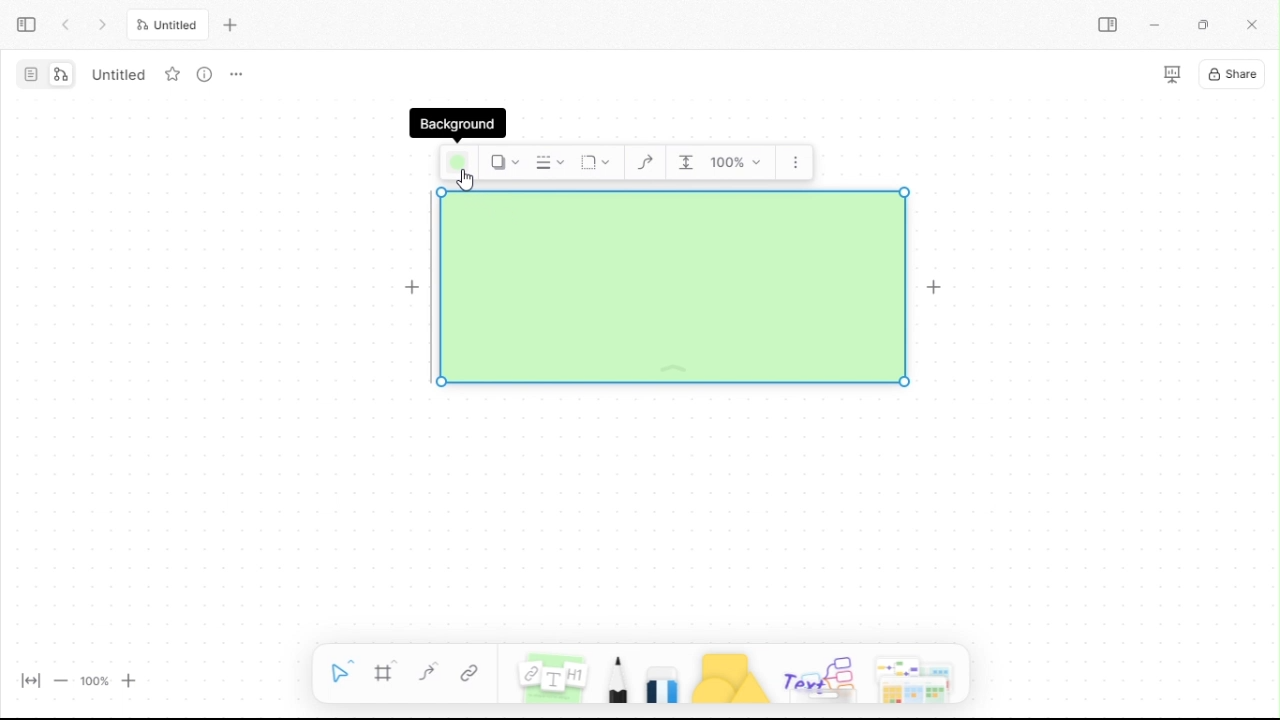 This screenshot has height=720, width=1280. I want to click on pencil, so click(615, 676).